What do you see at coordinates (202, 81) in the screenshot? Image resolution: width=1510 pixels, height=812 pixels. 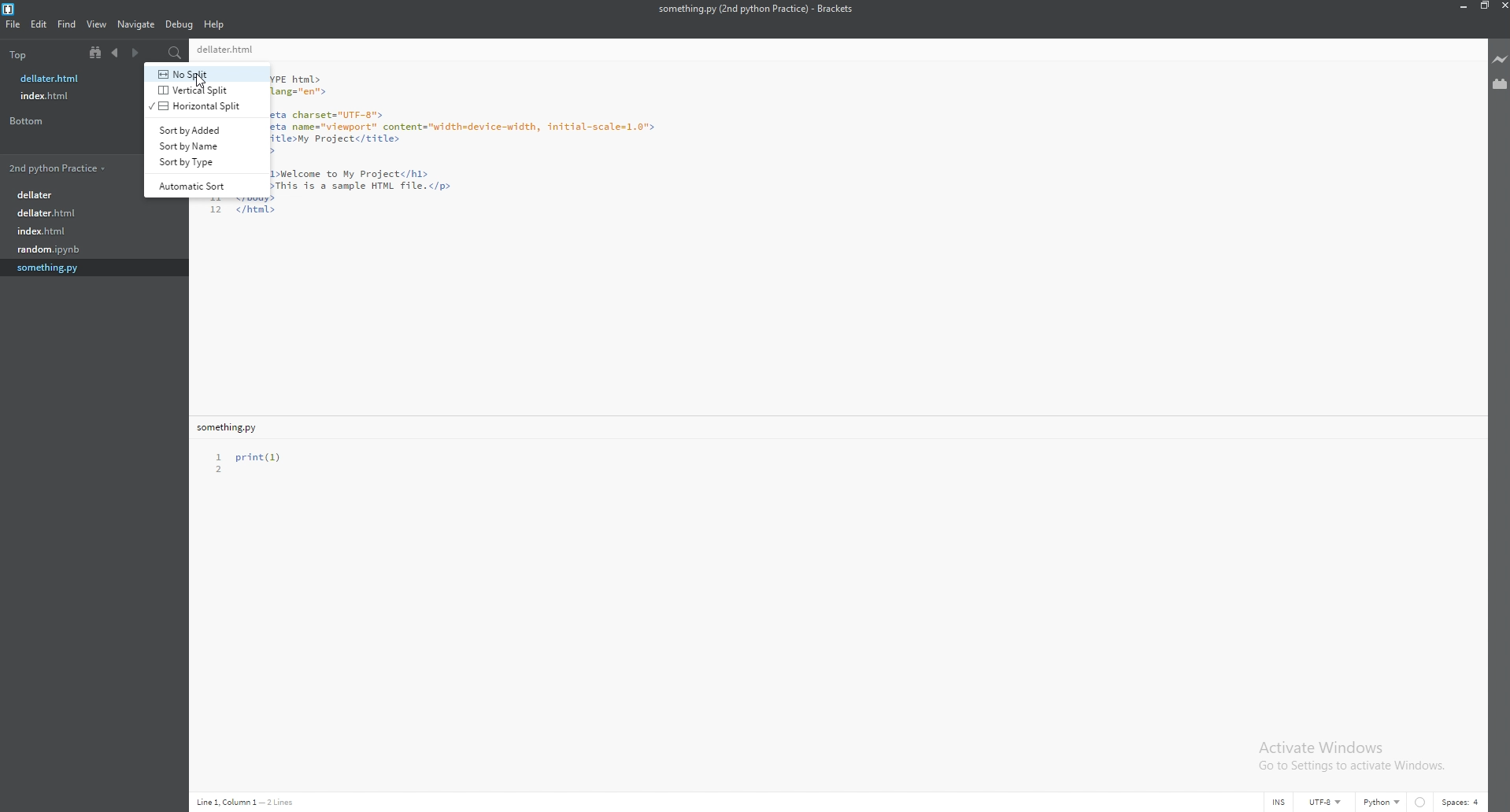 I see `cursor` at bounding box center [202, 81].